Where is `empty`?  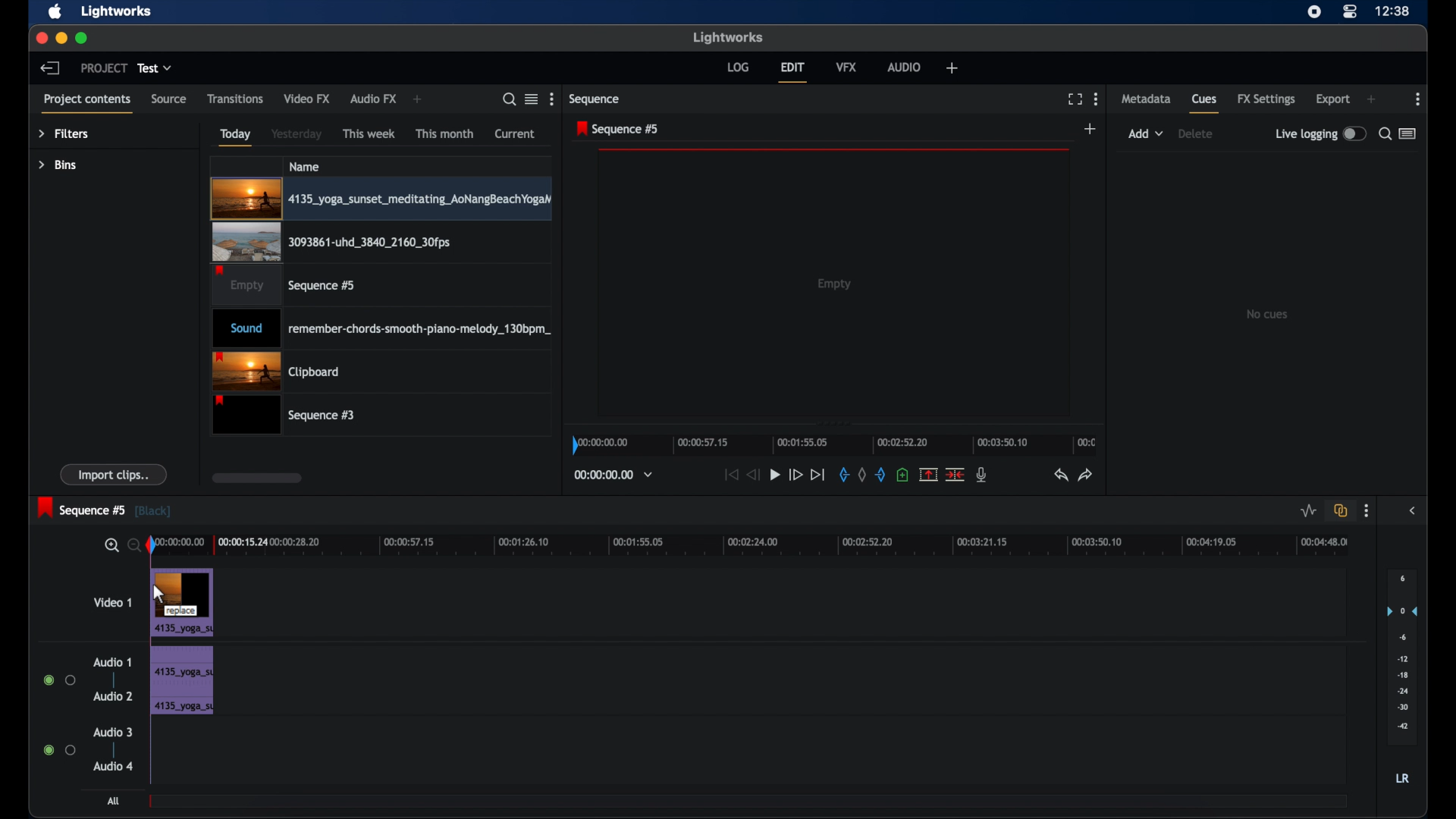 empty is located at coordinates (834, 284).